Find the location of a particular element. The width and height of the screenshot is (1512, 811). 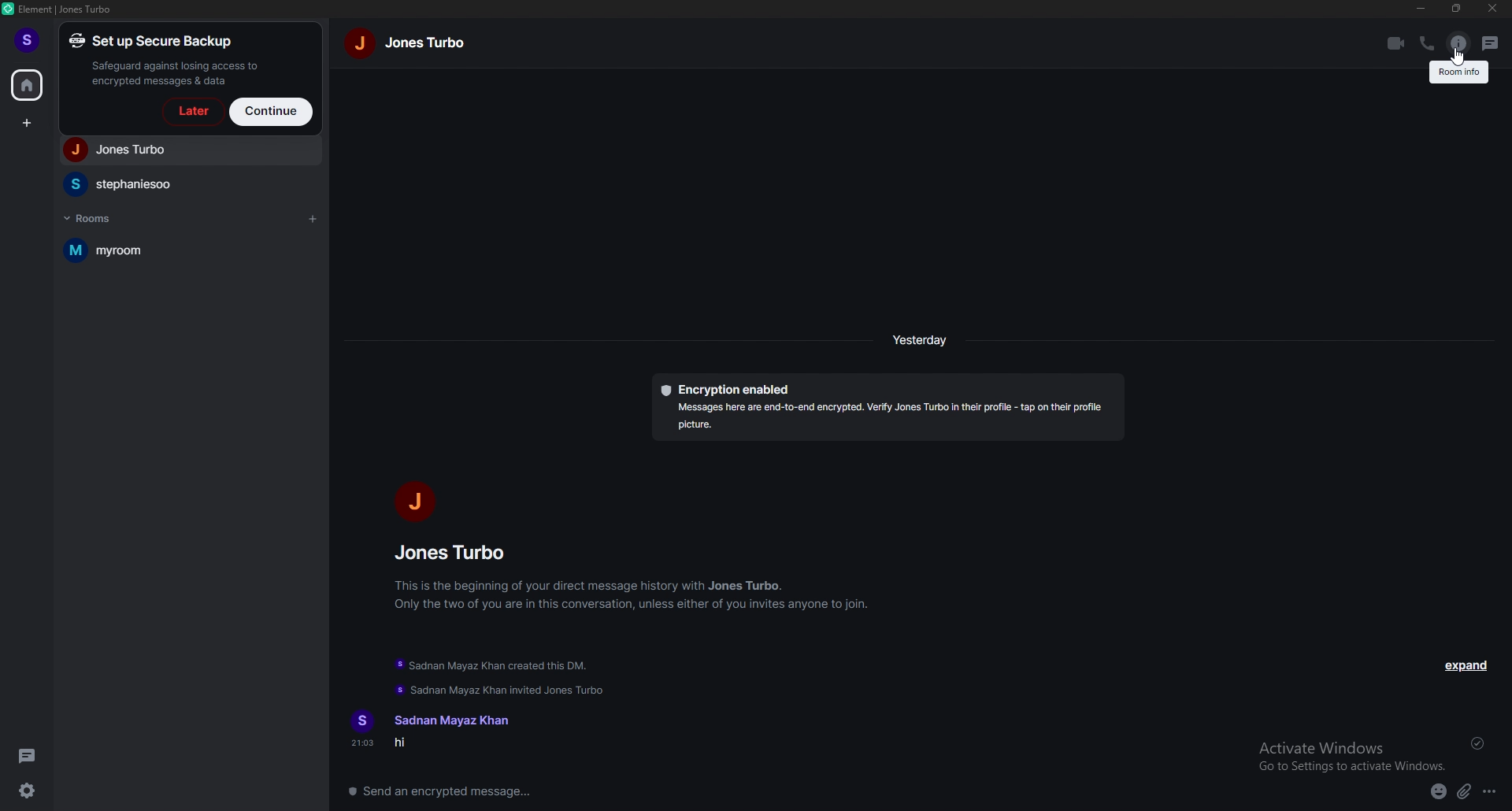

expand is located at coordinates (1469, 665).